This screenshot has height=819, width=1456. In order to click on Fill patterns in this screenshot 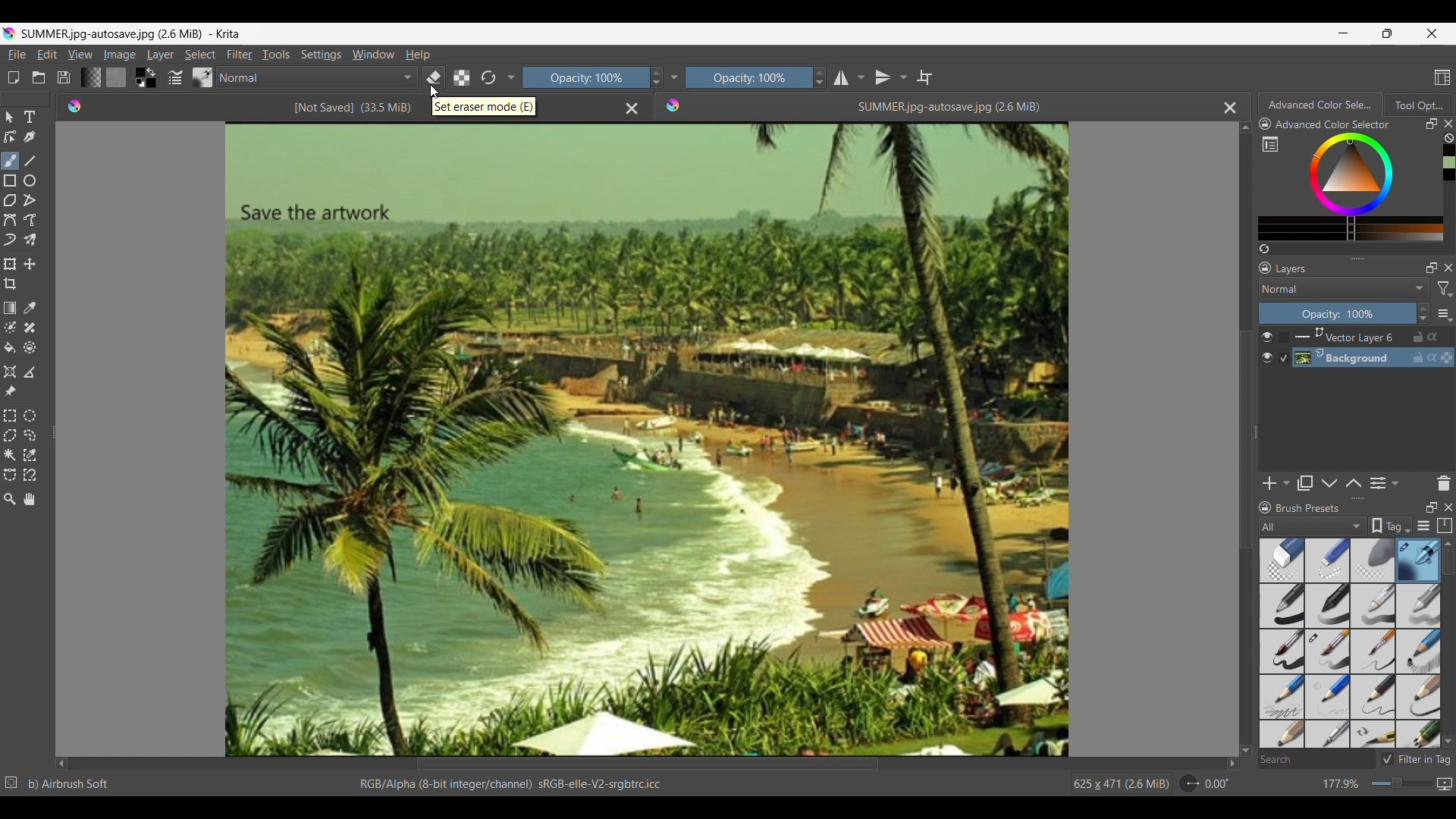, I will do `click(116, 77)`.